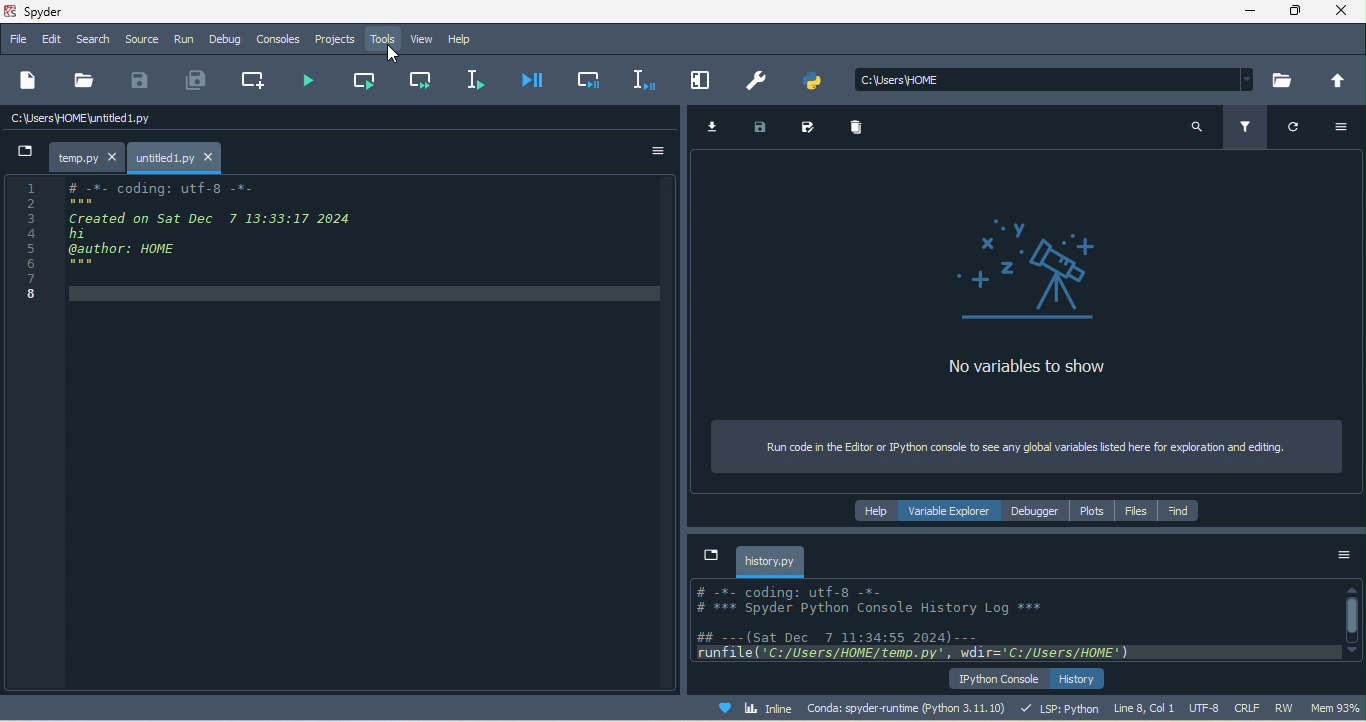 The width and height of the screenshot is (1366, 722). I want to click on close, so click(1341, 13).